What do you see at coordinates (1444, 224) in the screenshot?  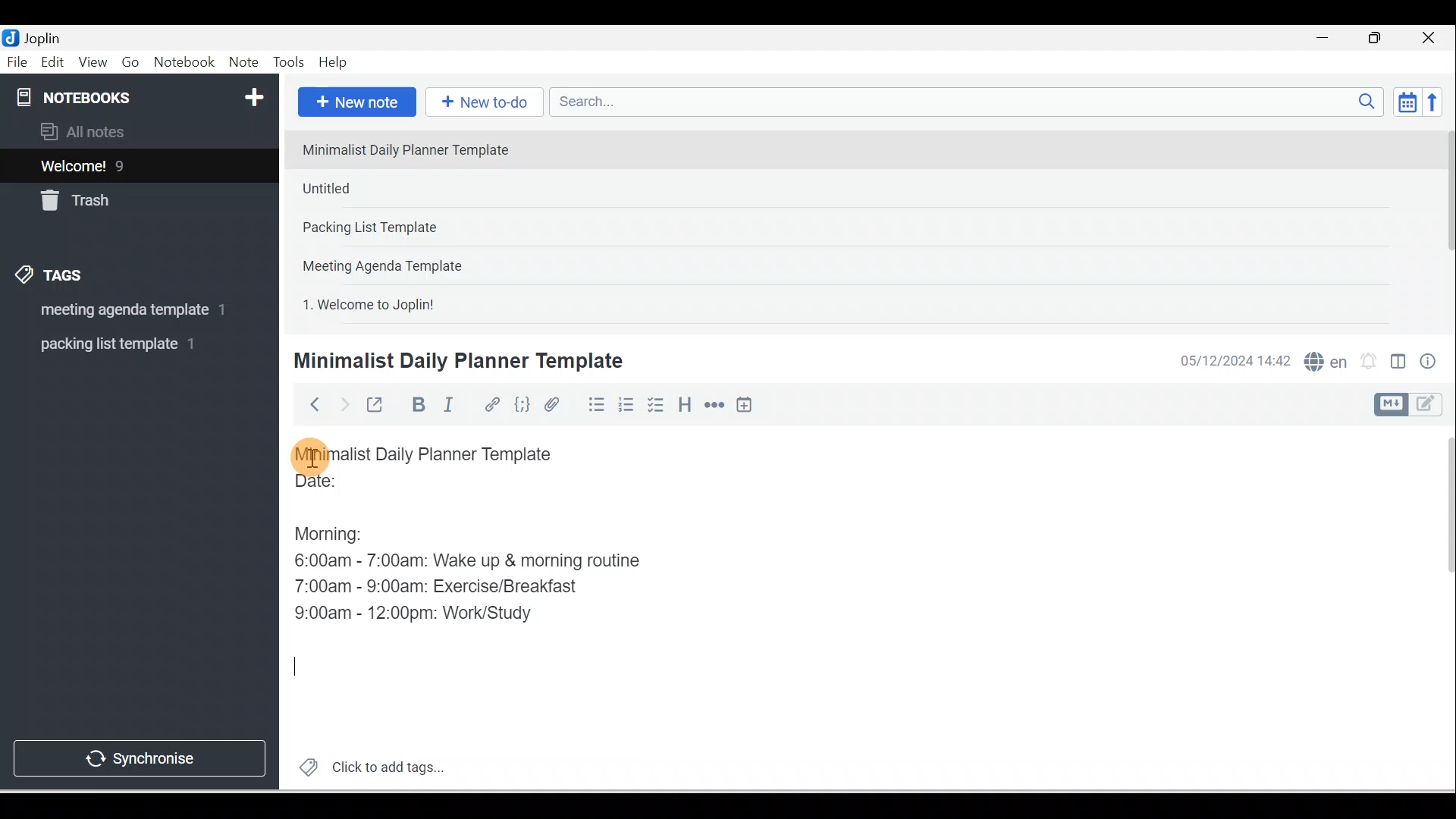 I see `Scroll bar` at bounding box center [1444, 224].